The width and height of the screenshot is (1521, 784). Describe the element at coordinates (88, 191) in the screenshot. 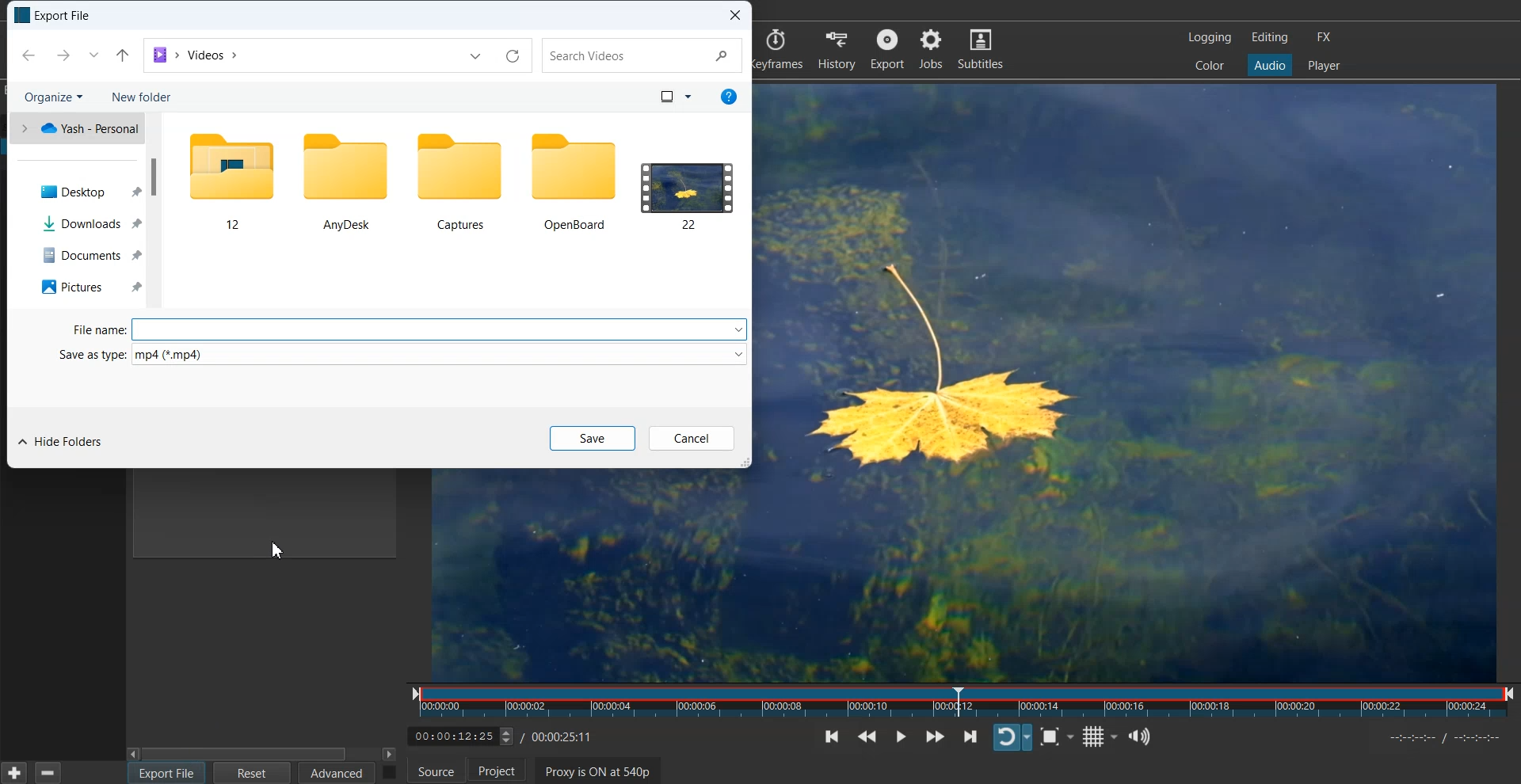

I see `Dekstop` at that location.